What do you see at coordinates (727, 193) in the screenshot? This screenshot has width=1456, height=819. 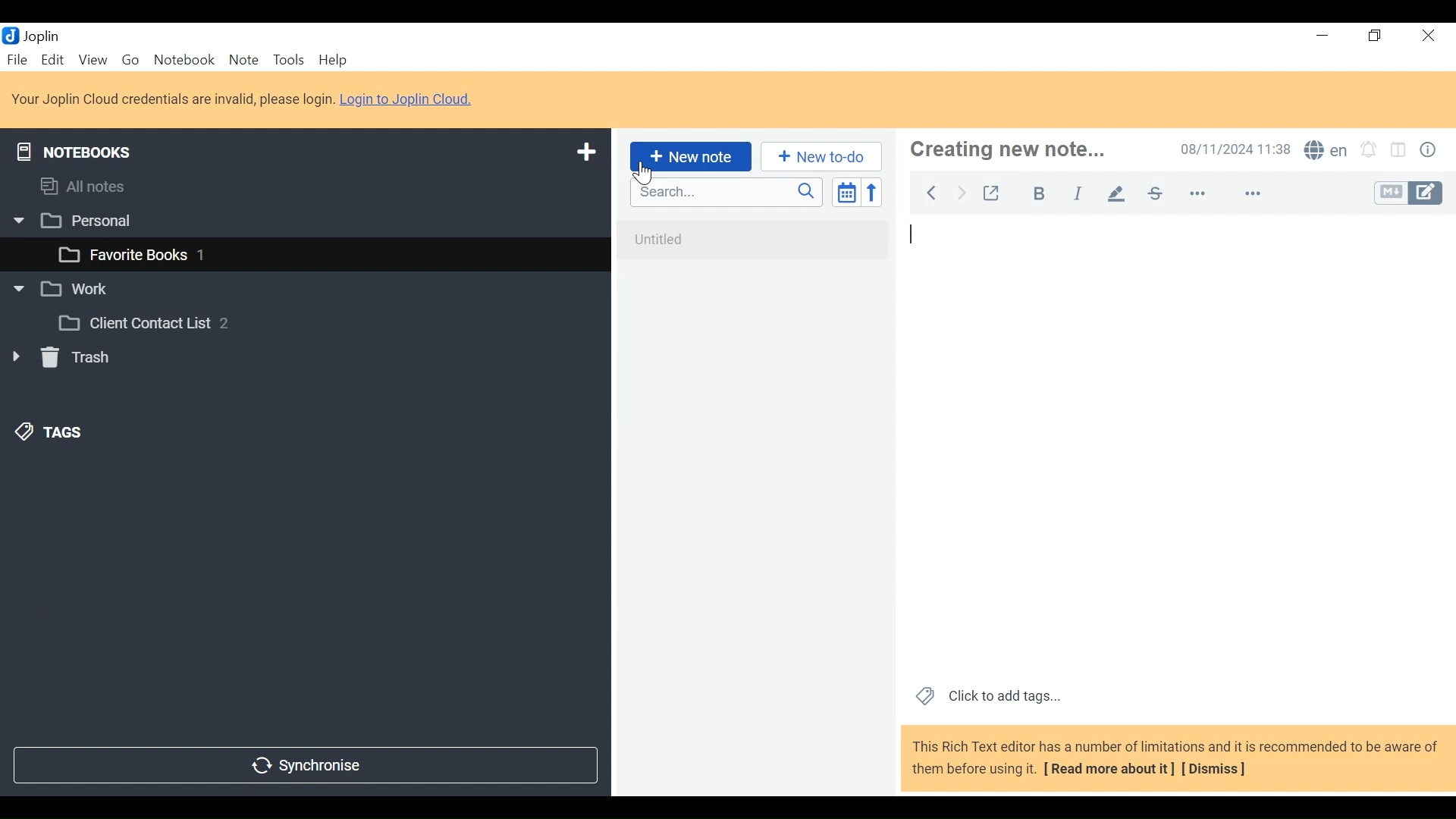 I see `Search` at bounding box center [727, 193].